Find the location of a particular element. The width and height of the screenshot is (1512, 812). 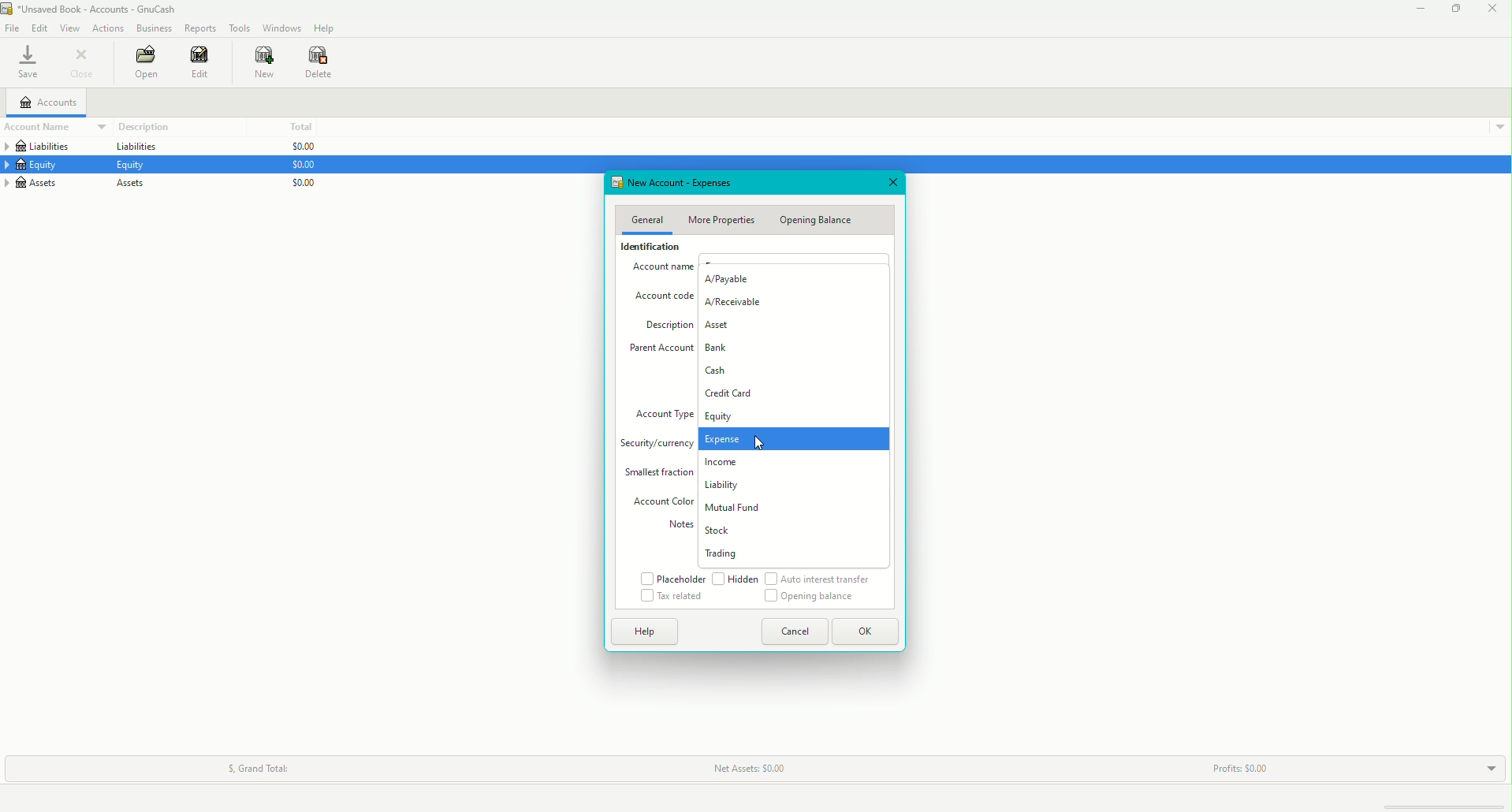

Actions is located at coordinates (110, 28).